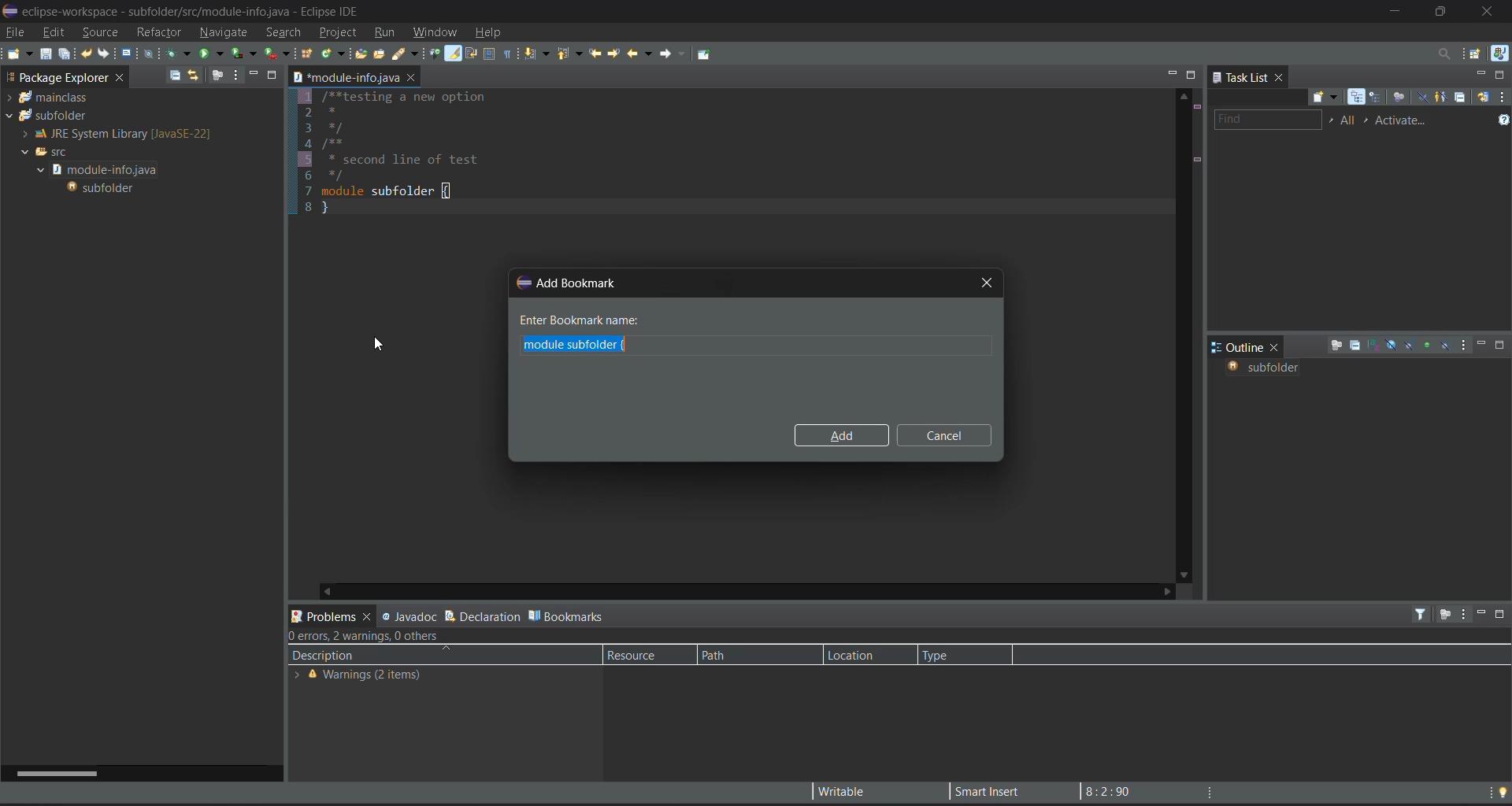 This screenshot has width=1512, height=806. What do you see at coordinates (1116, 790) in the screenshot?
I see `8:2:90` at bounding box center [1116, 790].